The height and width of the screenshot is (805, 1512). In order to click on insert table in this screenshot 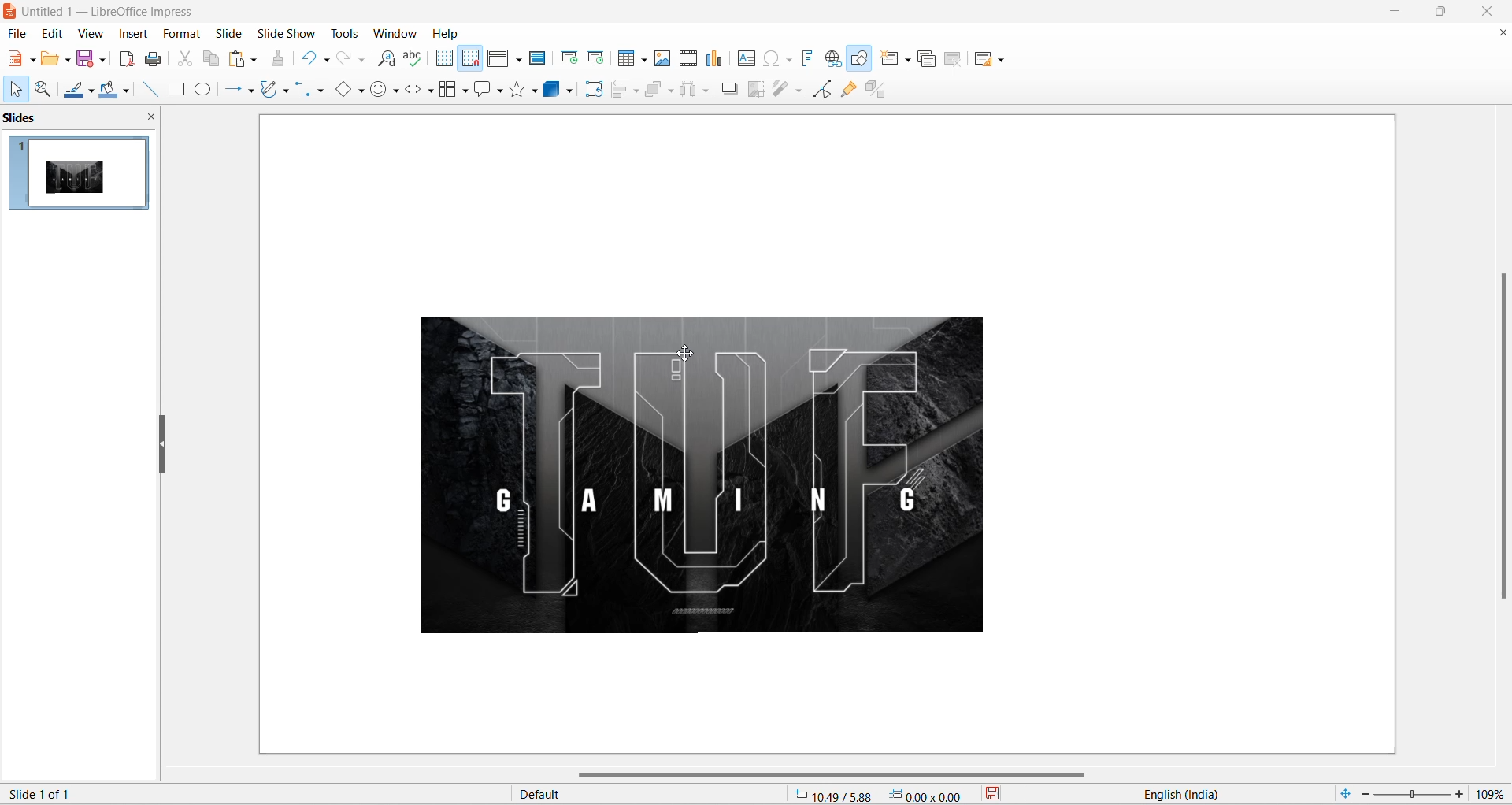, I will do `click(627, 59)`.